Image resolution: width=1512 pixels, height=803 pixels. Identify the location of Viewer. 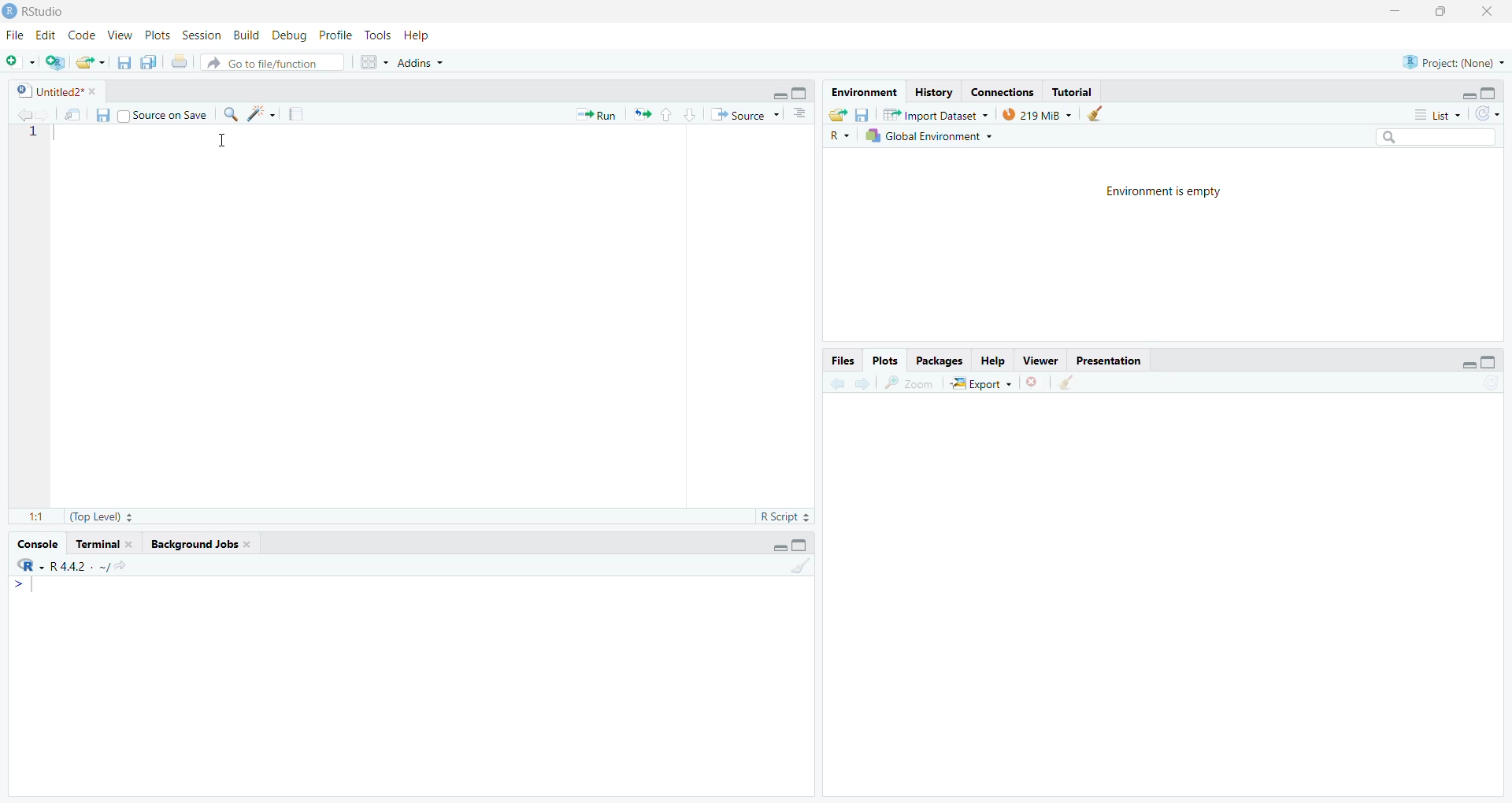
(1039, 361).